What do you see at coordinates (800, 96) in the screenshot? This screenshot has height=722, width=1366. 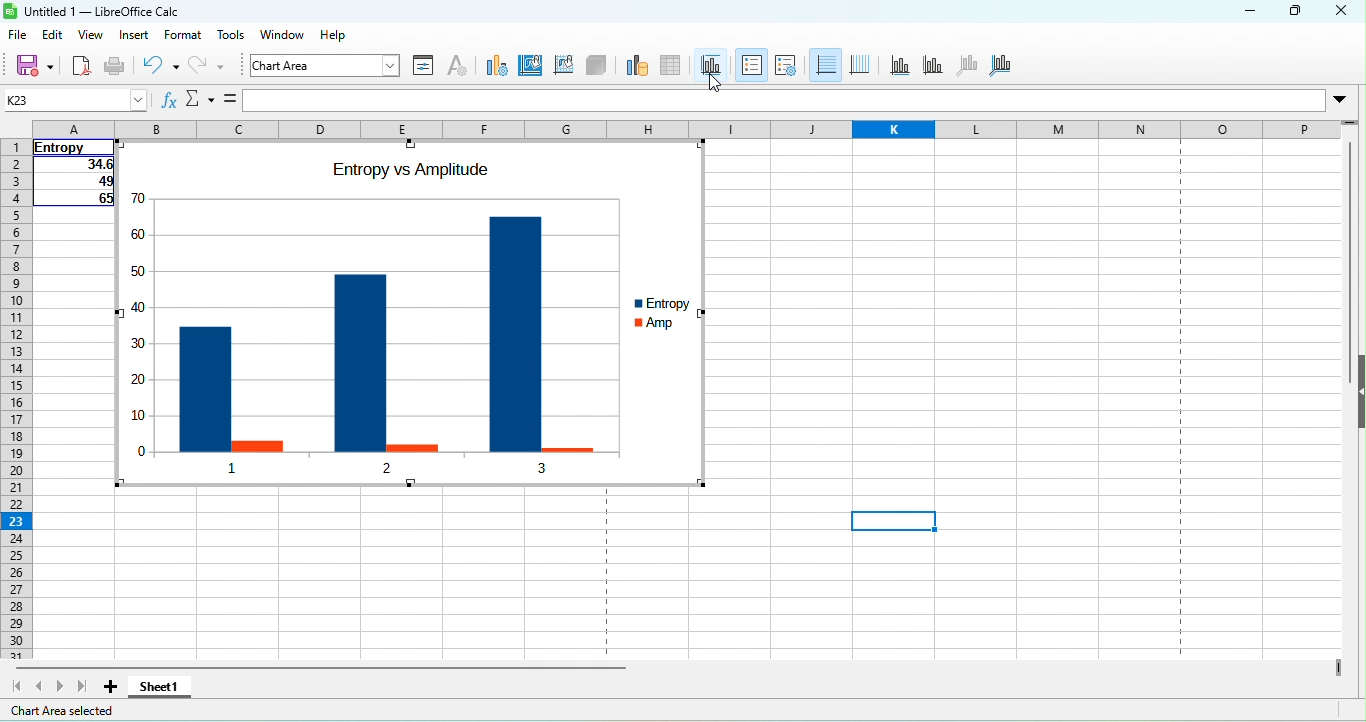 I see `formula bar` at bounding box center [800, 96].